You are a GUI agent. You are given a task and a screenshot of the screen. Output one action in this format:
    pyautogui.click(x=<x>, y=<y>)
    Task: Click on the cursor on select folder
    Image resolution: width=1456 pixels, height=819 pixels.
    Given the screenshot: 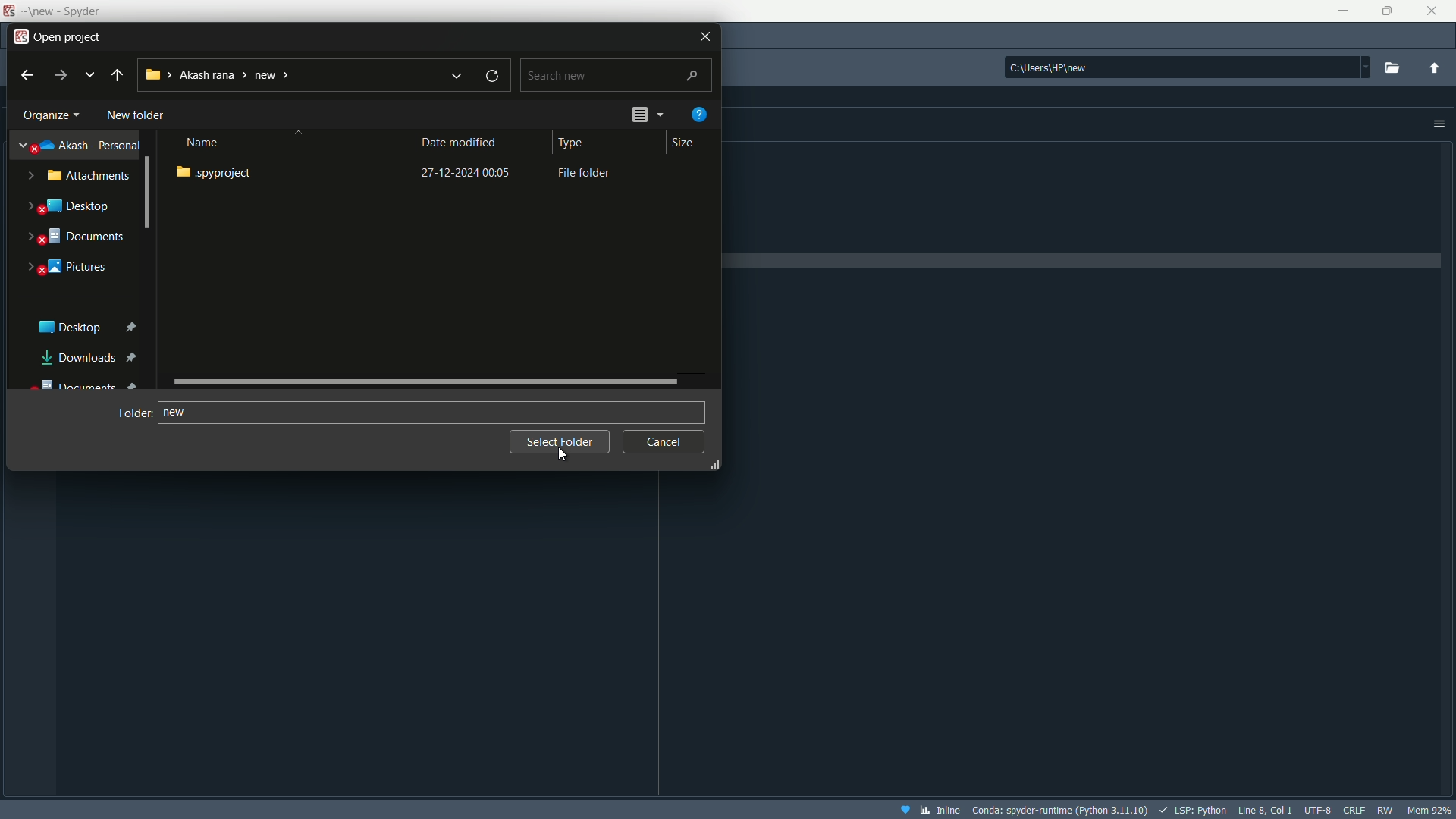 What is the action you would take?
    pyautogui.click(x=563, y=453)
    